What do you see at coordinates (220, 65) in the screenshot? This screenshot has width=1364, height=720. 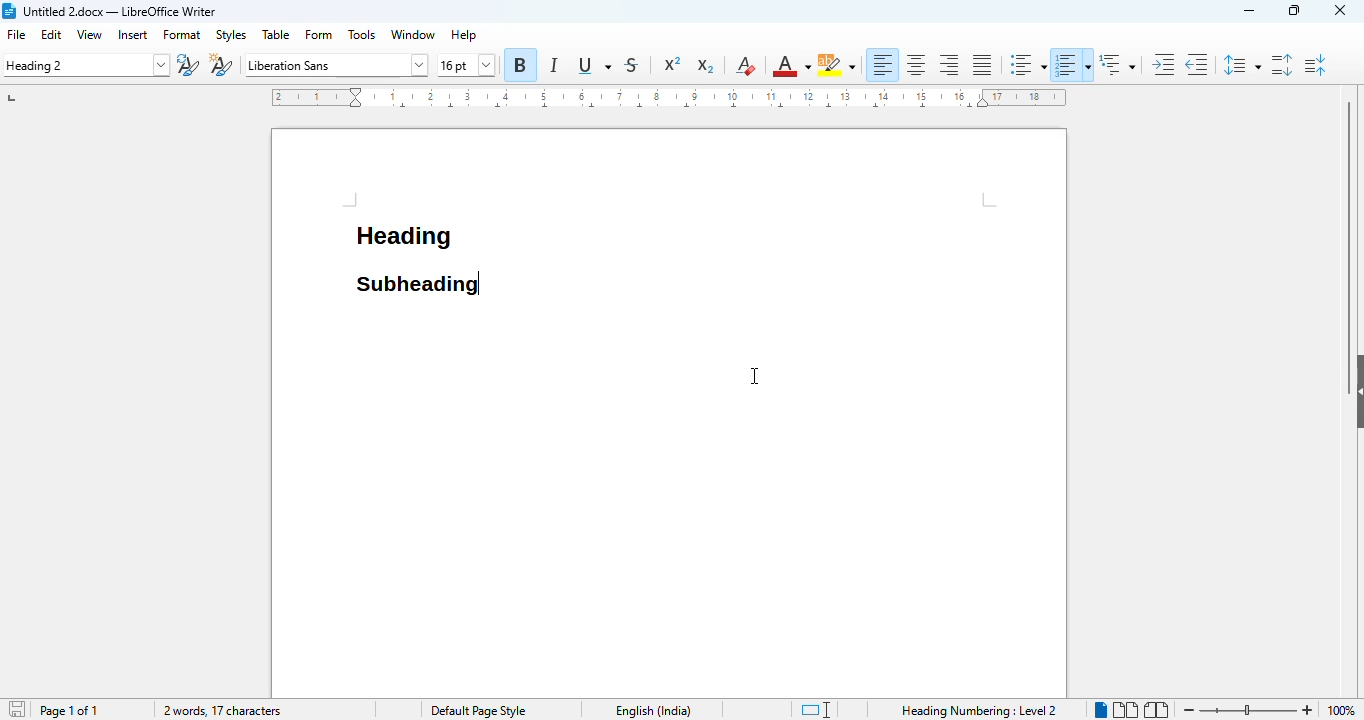 I see `new style from selection` at bounding box center [220, 65].